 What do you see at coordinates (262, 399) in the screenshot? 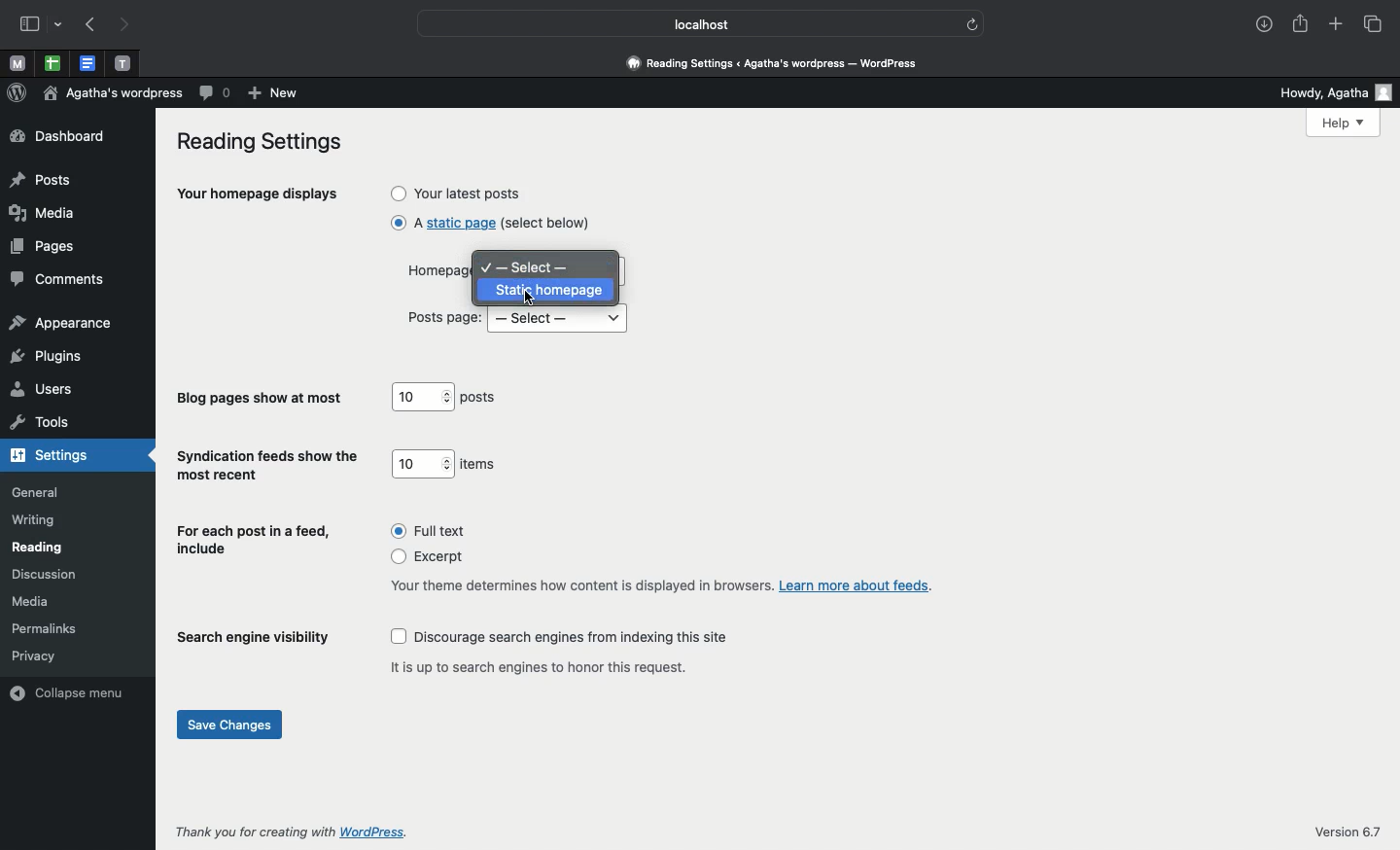
I see `Blog pages show at most` at bounding box center [262, 399].